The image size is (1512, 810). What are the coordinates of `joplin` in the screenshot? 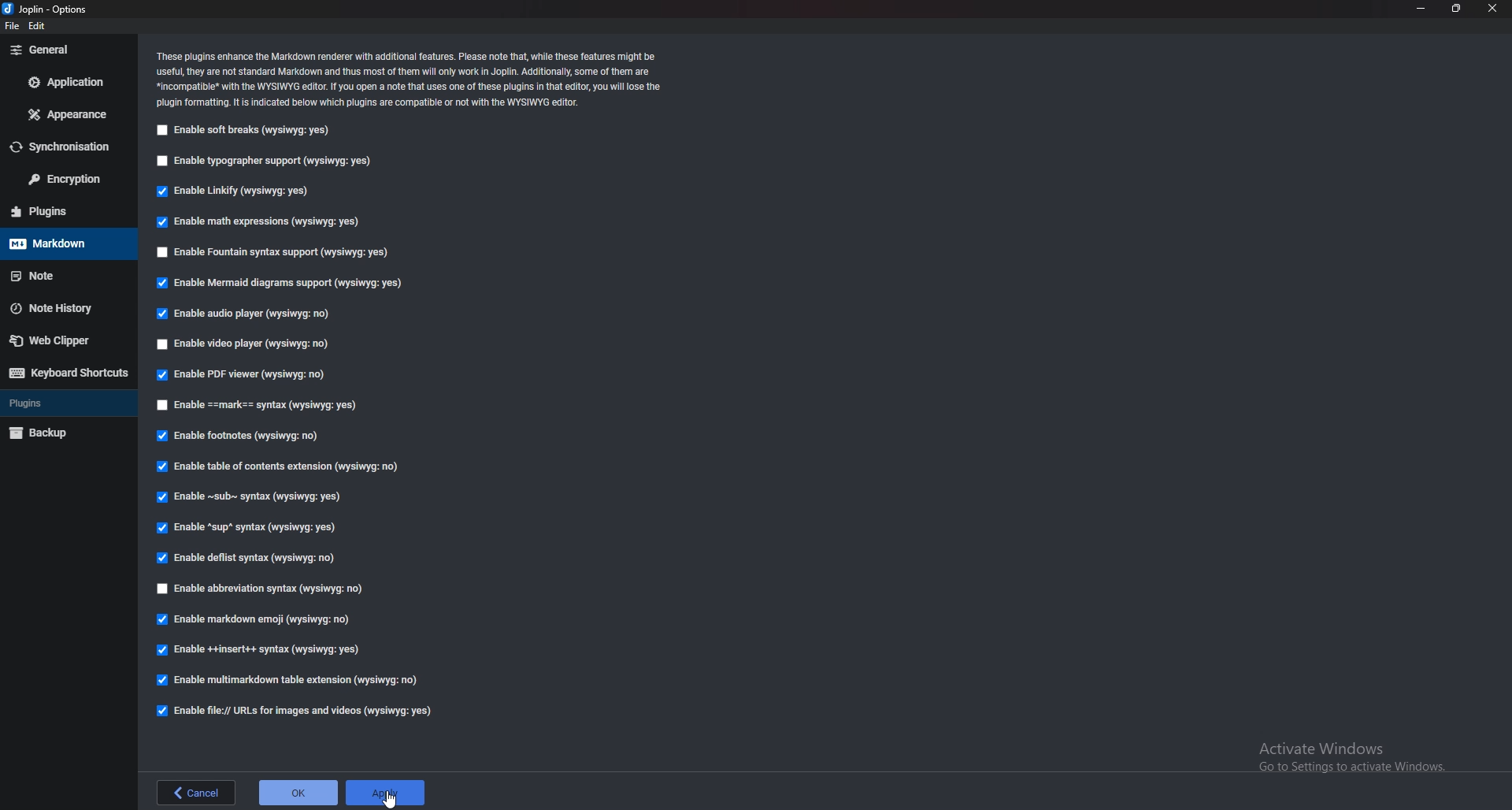 It's located at (51, 9).